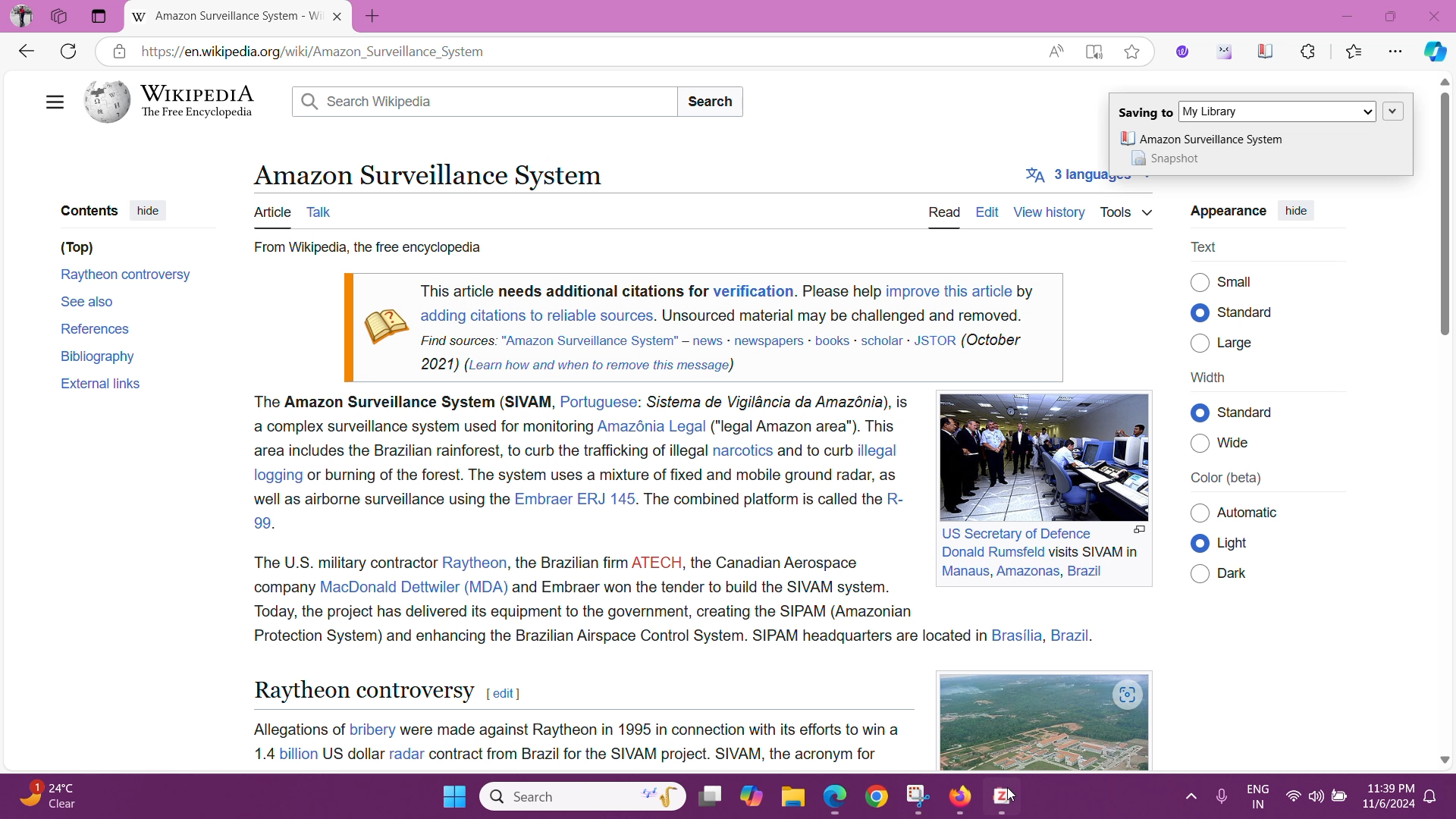 The width and height of the screenshot is (1456, 819). Describe the element at coordinates (1200, 312) in the screenshot. I see `Selected` at that location.